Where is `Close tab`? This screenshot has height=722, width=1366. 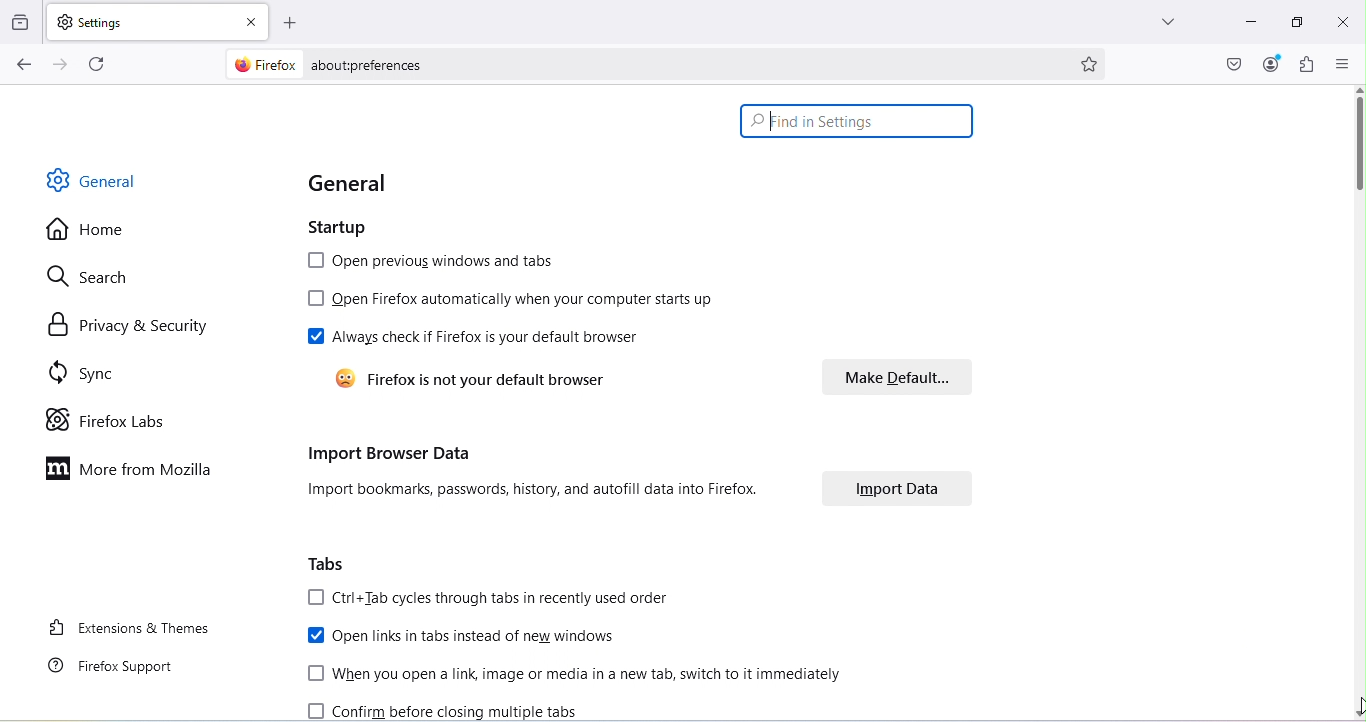
Close tab is located at coordinates (254, 23).